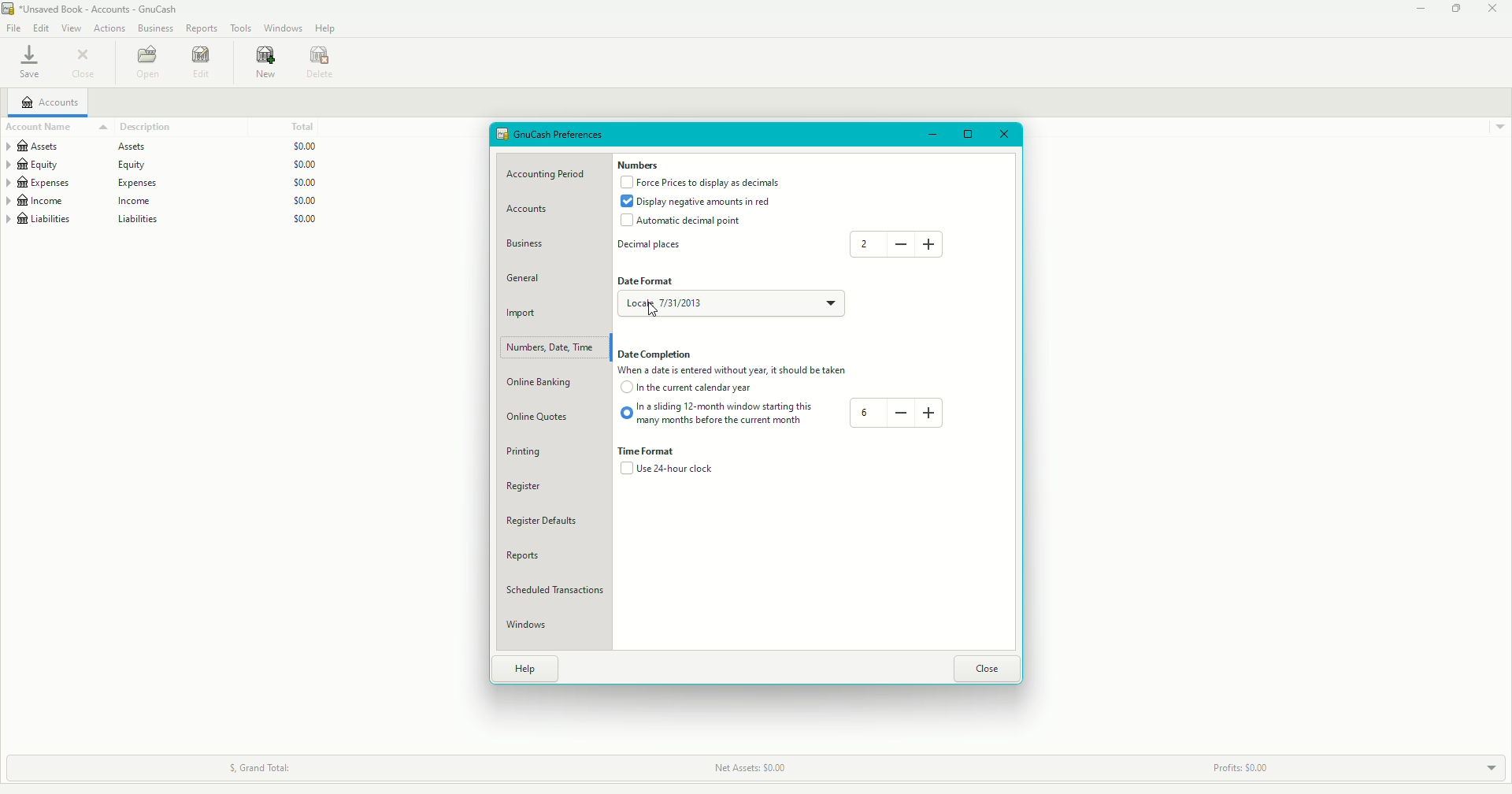 Image resolution: width=1512 pixels, height=794 pixels. What do you see at coordinates (137, 125) in the screenshot?
I see `Description` at bounding box center [137, 125].